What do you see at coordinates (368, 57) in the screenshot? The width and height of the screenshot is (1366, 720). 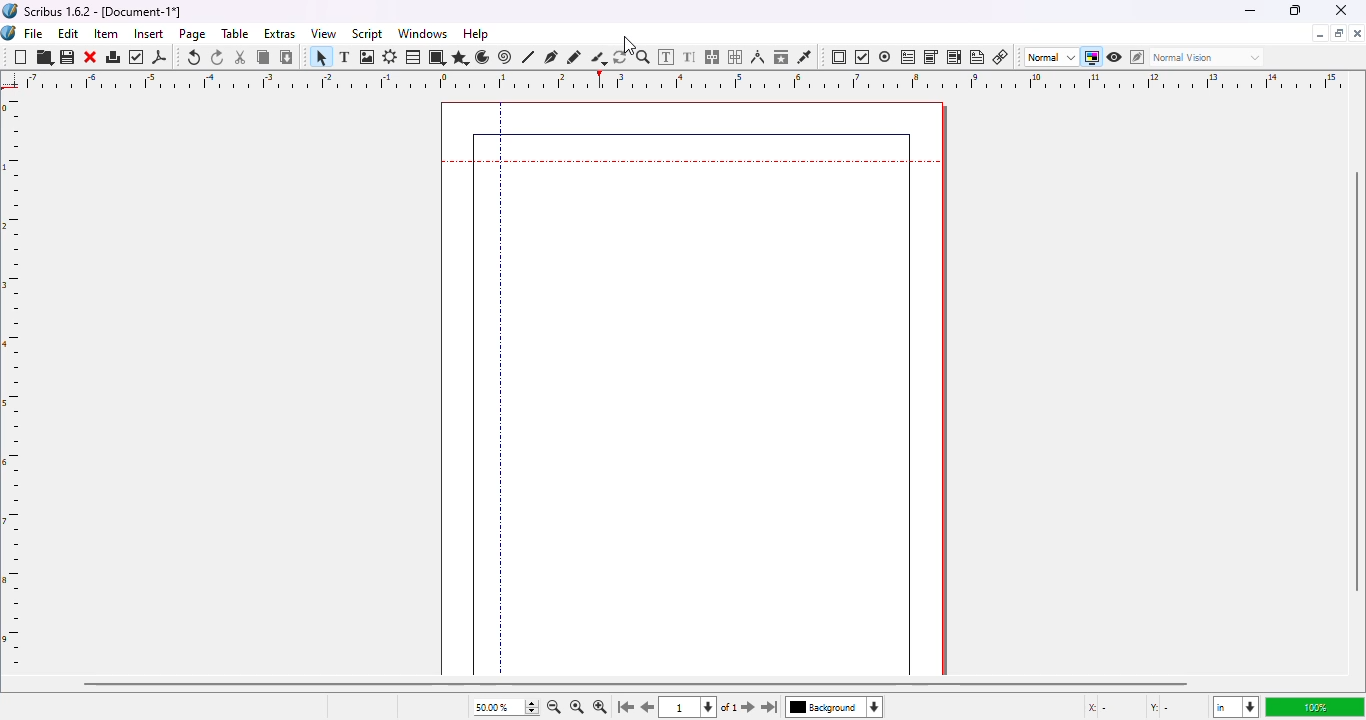 I see `image frame` at bounding box center [368, 57].